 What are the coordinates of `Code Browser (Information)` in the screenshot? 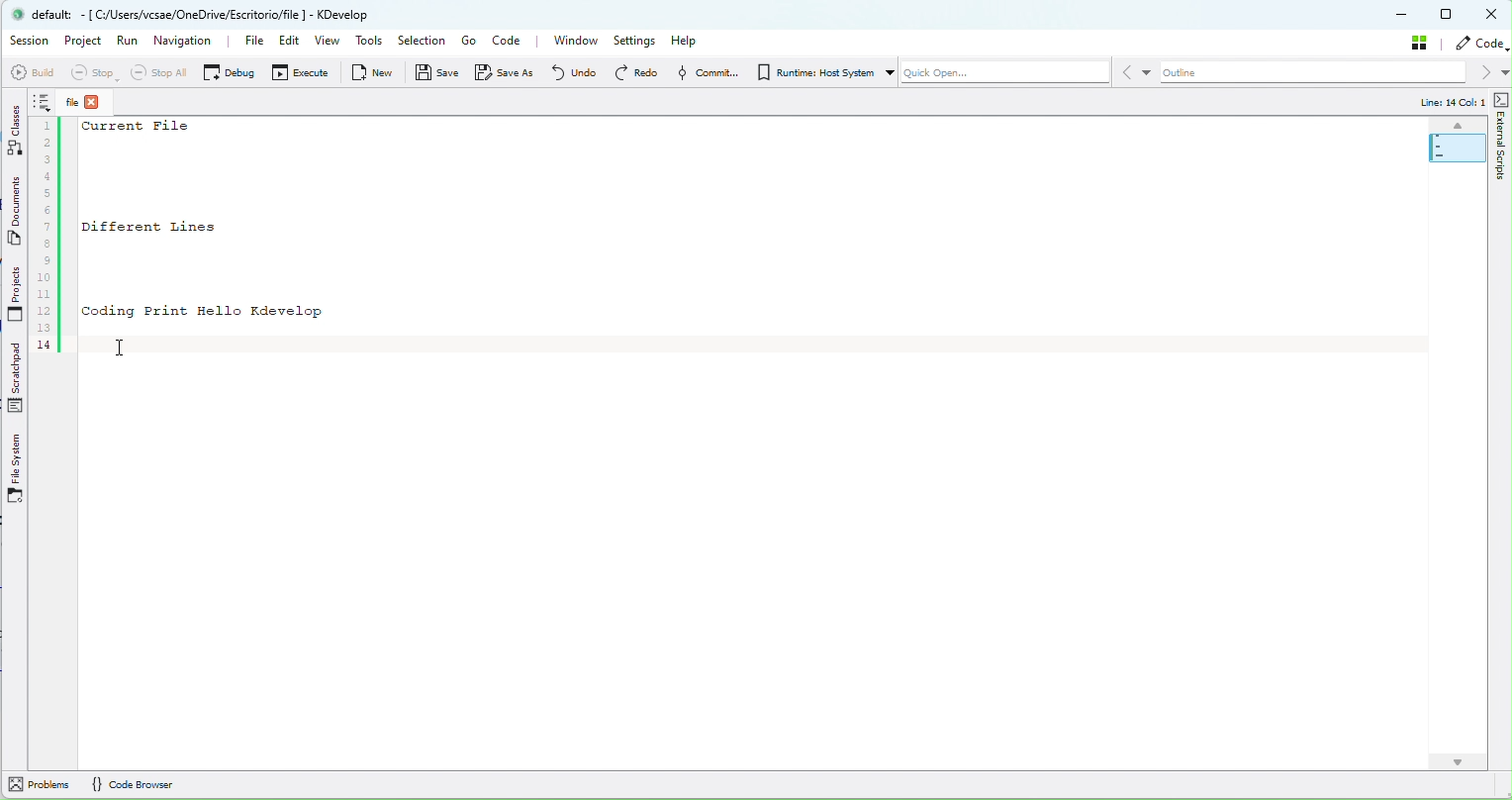 It's located at (134, 787).